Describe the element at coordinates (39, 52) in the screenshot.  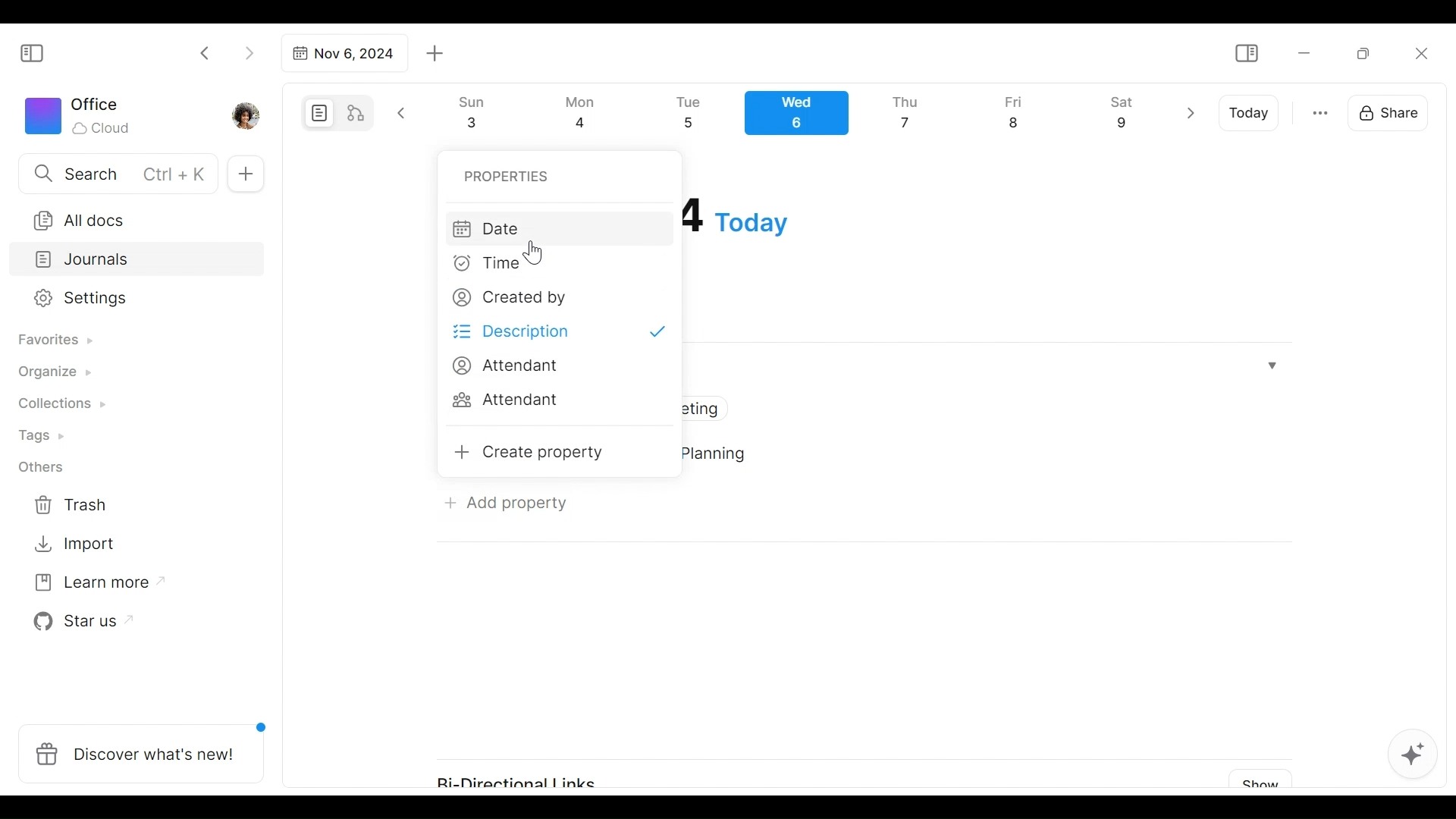
I see `Show/Hide Sidebar` at that location.